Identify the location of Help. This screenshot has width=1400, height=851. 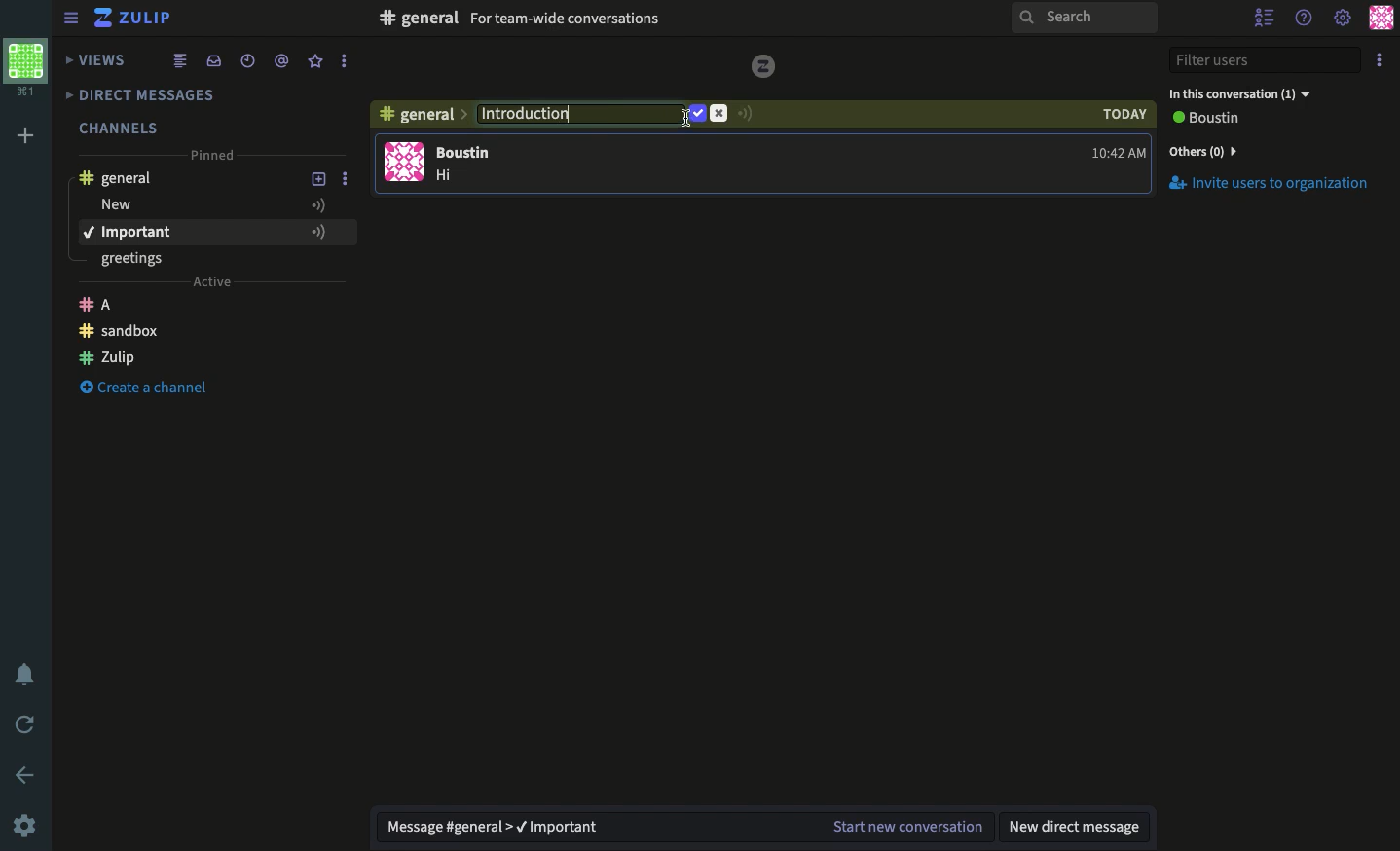
(1306, 19).